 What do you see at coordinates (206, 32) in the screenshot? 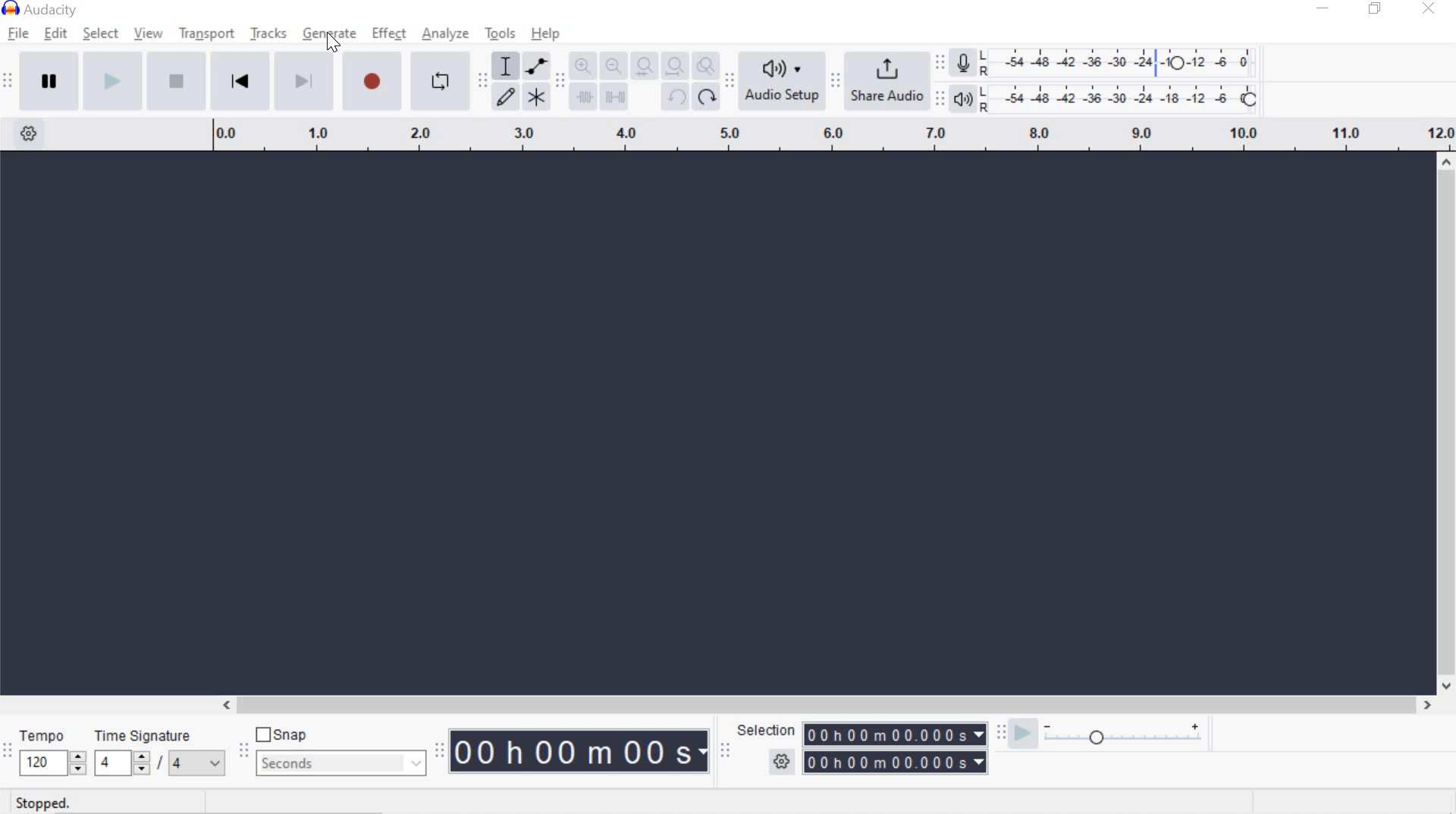
I see `transport` at bounding box center [206, 32].